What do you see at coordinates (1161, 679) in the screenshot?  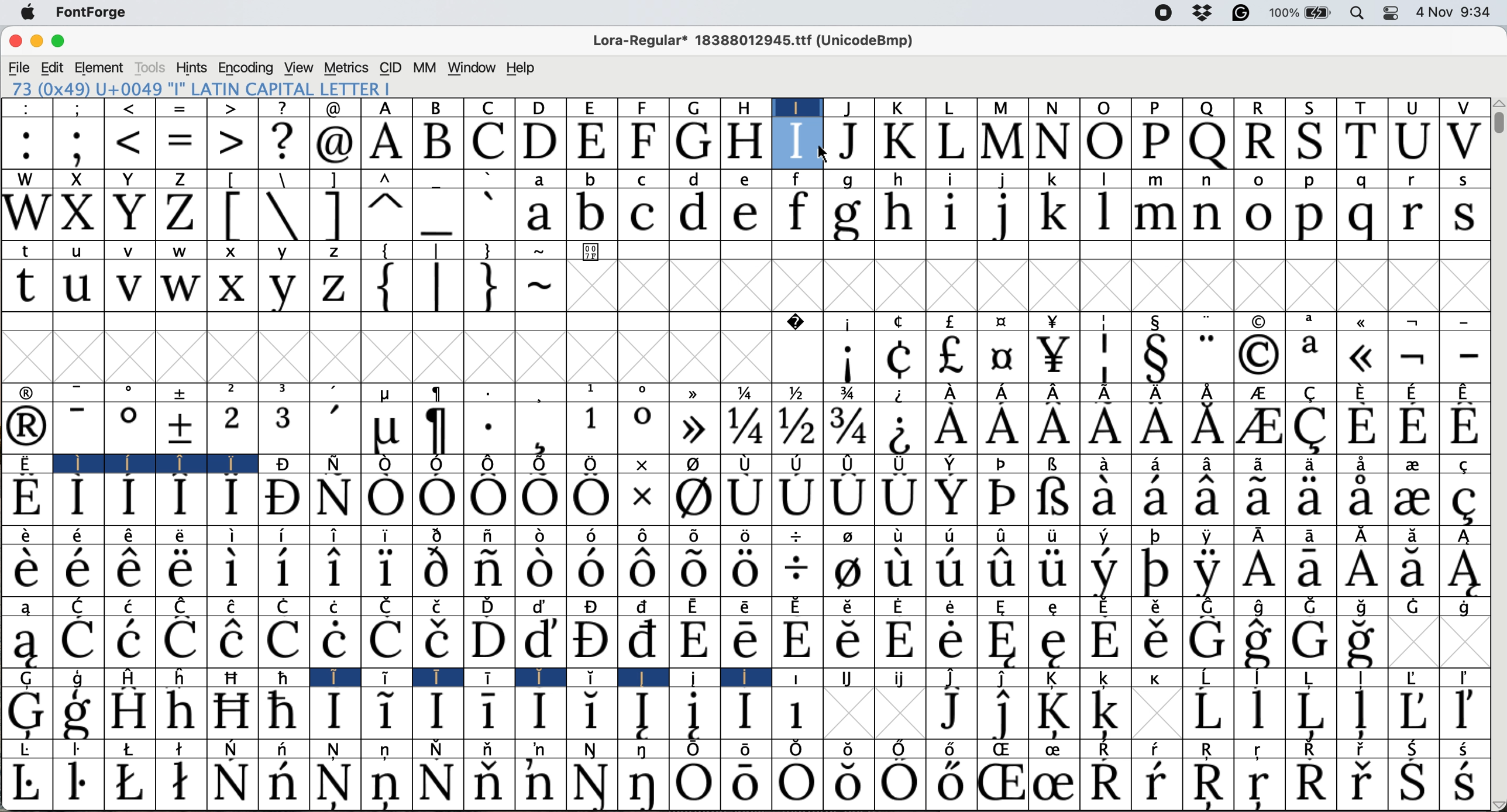 I see `Symbol` at bounding box center [1161, 679].